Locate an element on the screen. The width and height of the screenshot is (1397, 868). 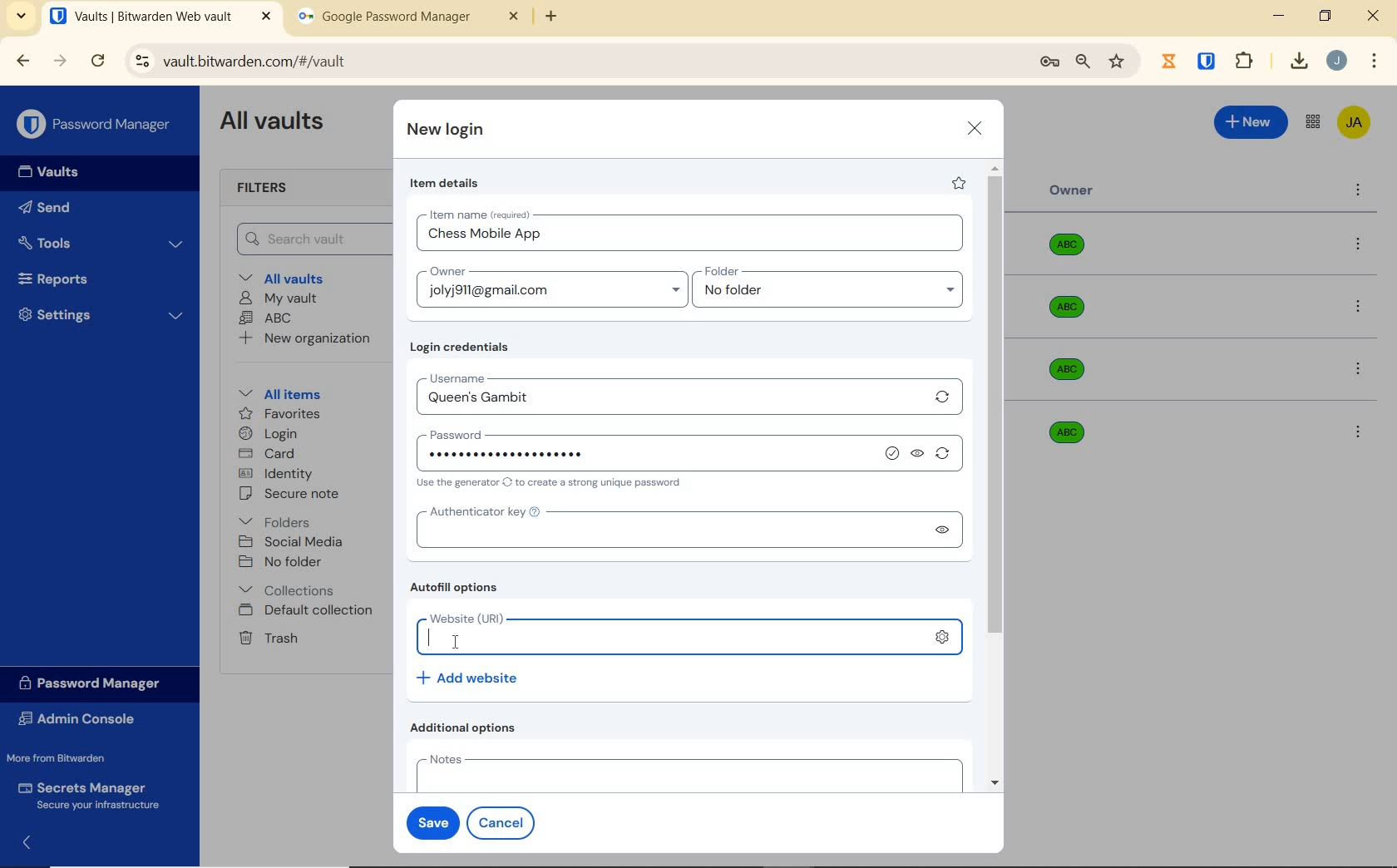
forward is located at coordinates (61, 61).